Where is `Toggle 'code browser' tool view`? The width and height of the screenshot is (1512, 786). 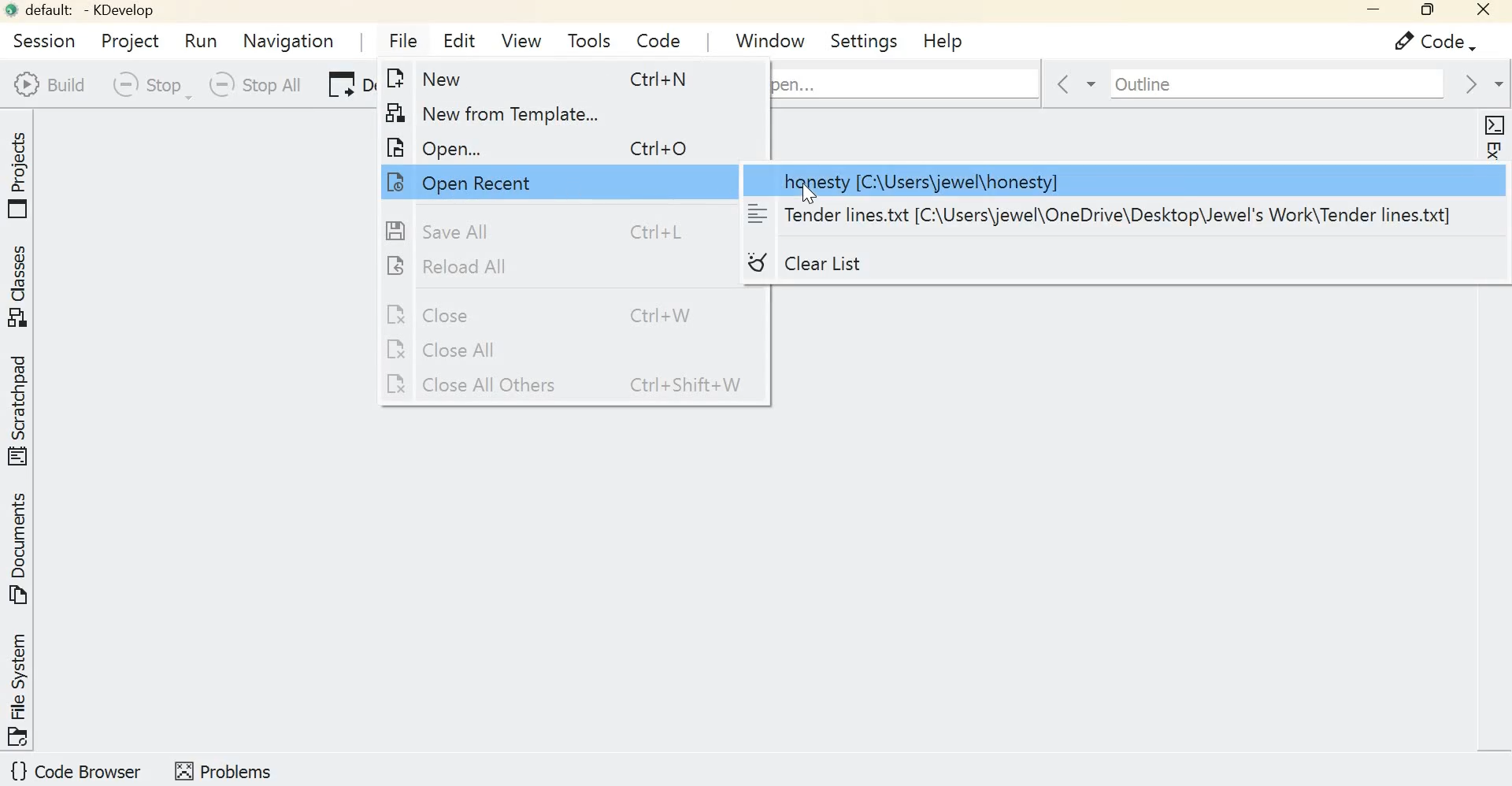 Toggle 'code browser' tool view is located at coordinates (77, 773).